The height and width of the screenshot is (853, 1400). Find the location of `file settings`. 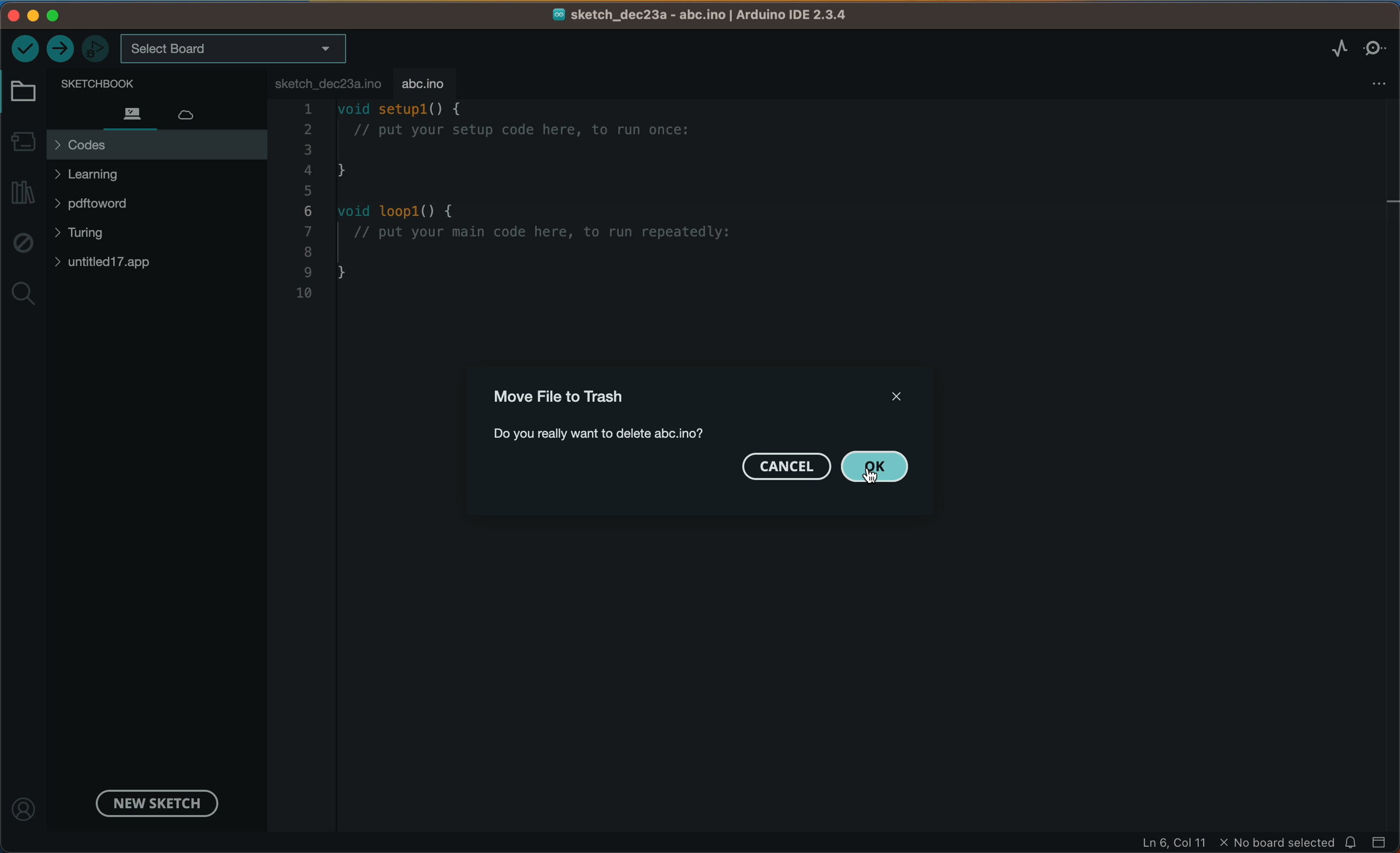

file settings is located at coordinates (1361, 81).